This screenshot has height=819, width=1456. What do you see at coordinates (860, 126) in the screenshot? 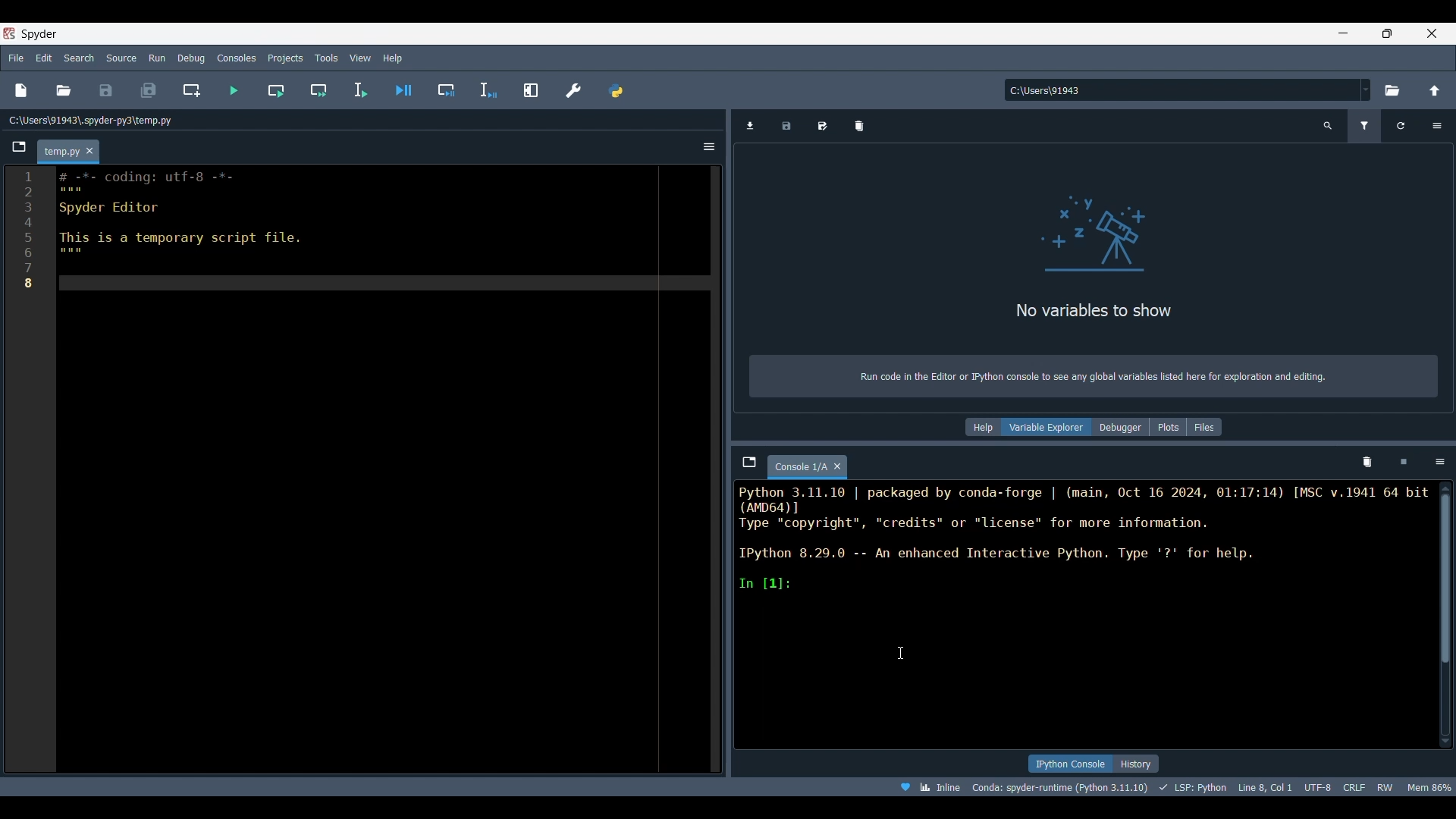
I see `Remove all variables` at bounding box center [860, 126].